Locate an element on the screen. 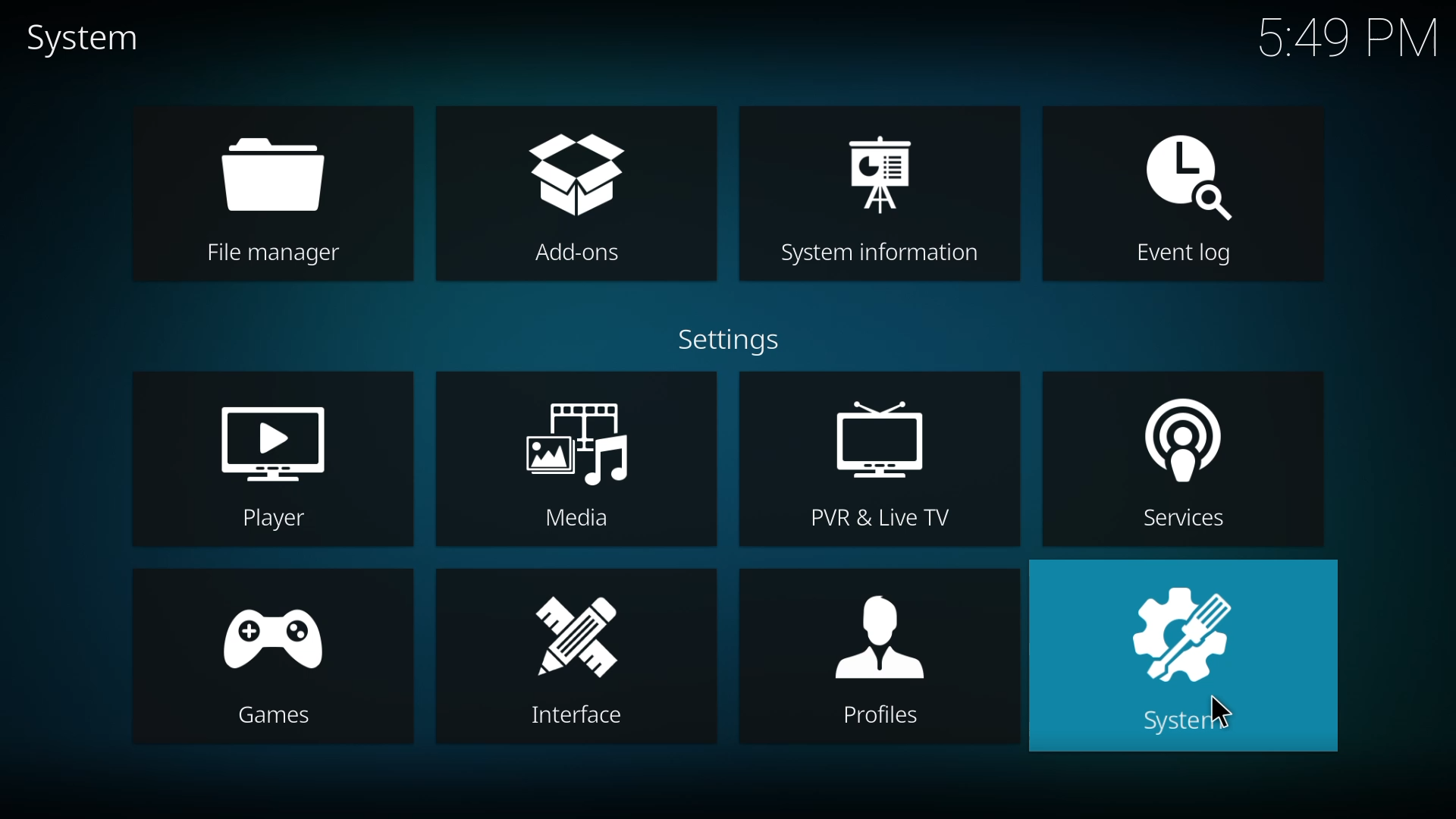  pvr & live tv is located at coordinates (883, 457).